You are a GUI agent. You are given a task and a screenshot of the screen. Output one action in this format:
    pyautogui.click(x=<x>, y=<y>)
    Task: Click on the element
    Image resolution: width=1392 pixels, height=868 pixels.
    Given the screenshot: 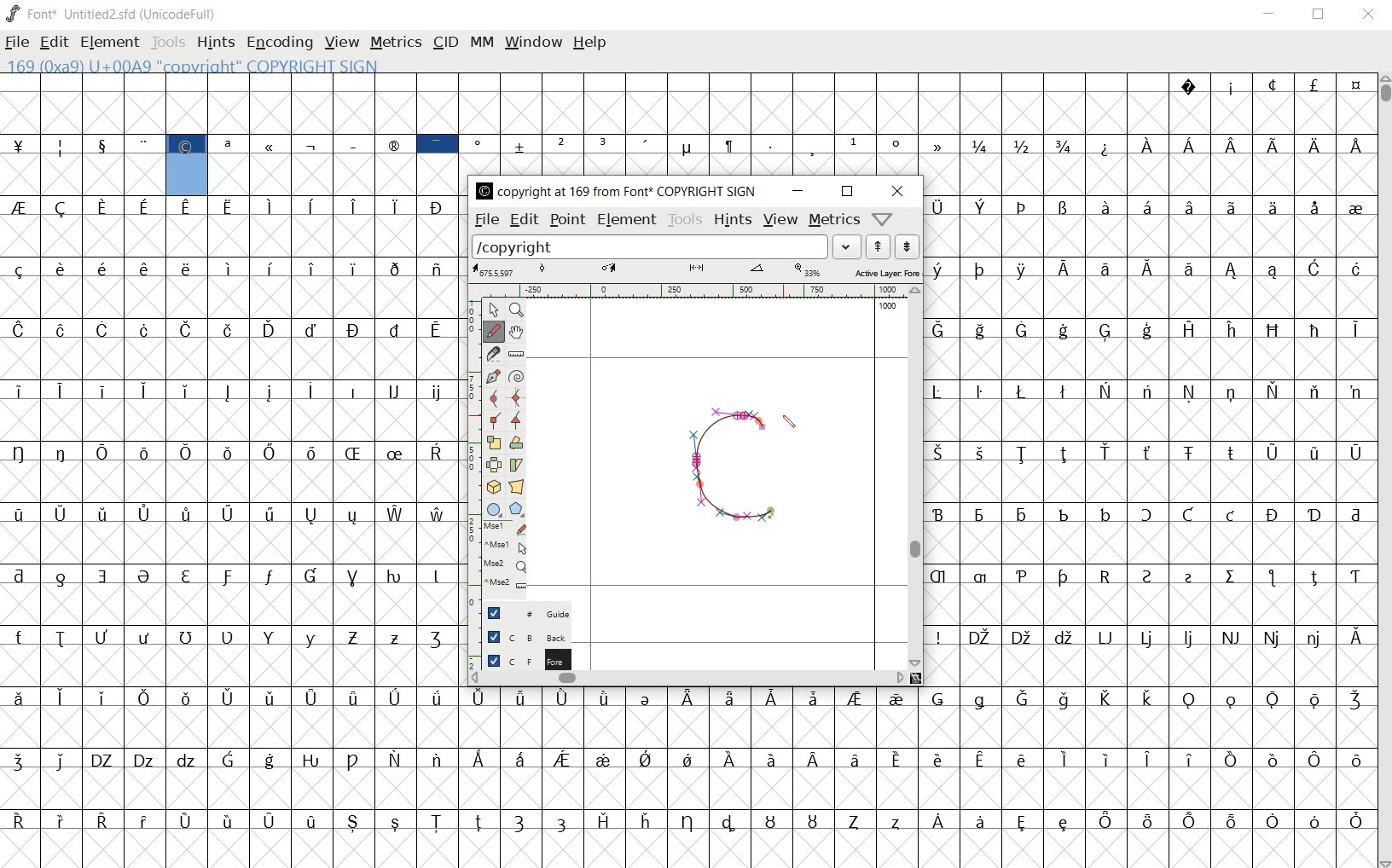 What is the action you would take?
    pyautogui.click(x=109, y=42)
    